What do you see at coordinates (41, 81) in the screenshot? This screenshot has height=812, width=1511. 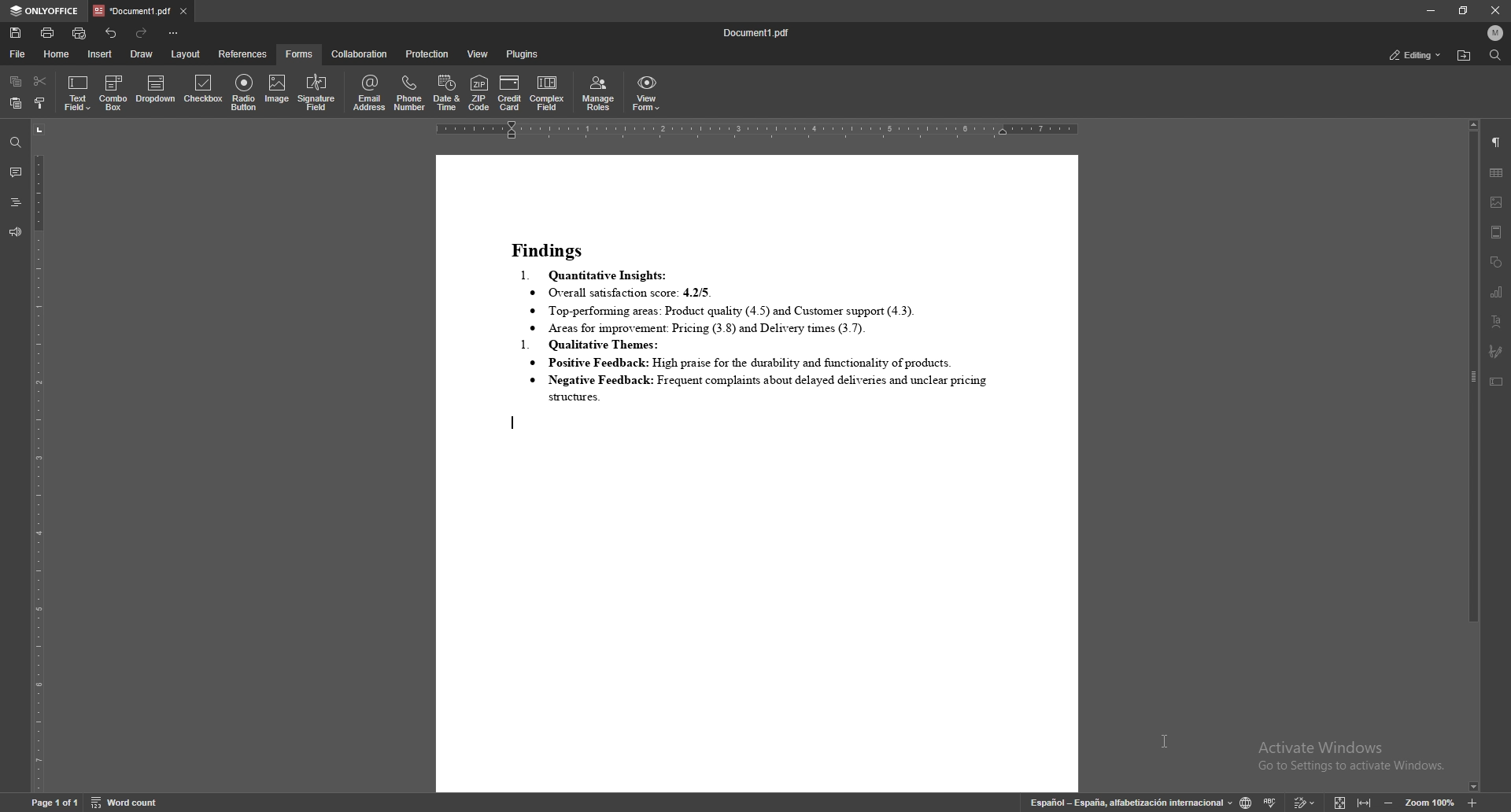 I see `cut` at bounding box center [41, 81].